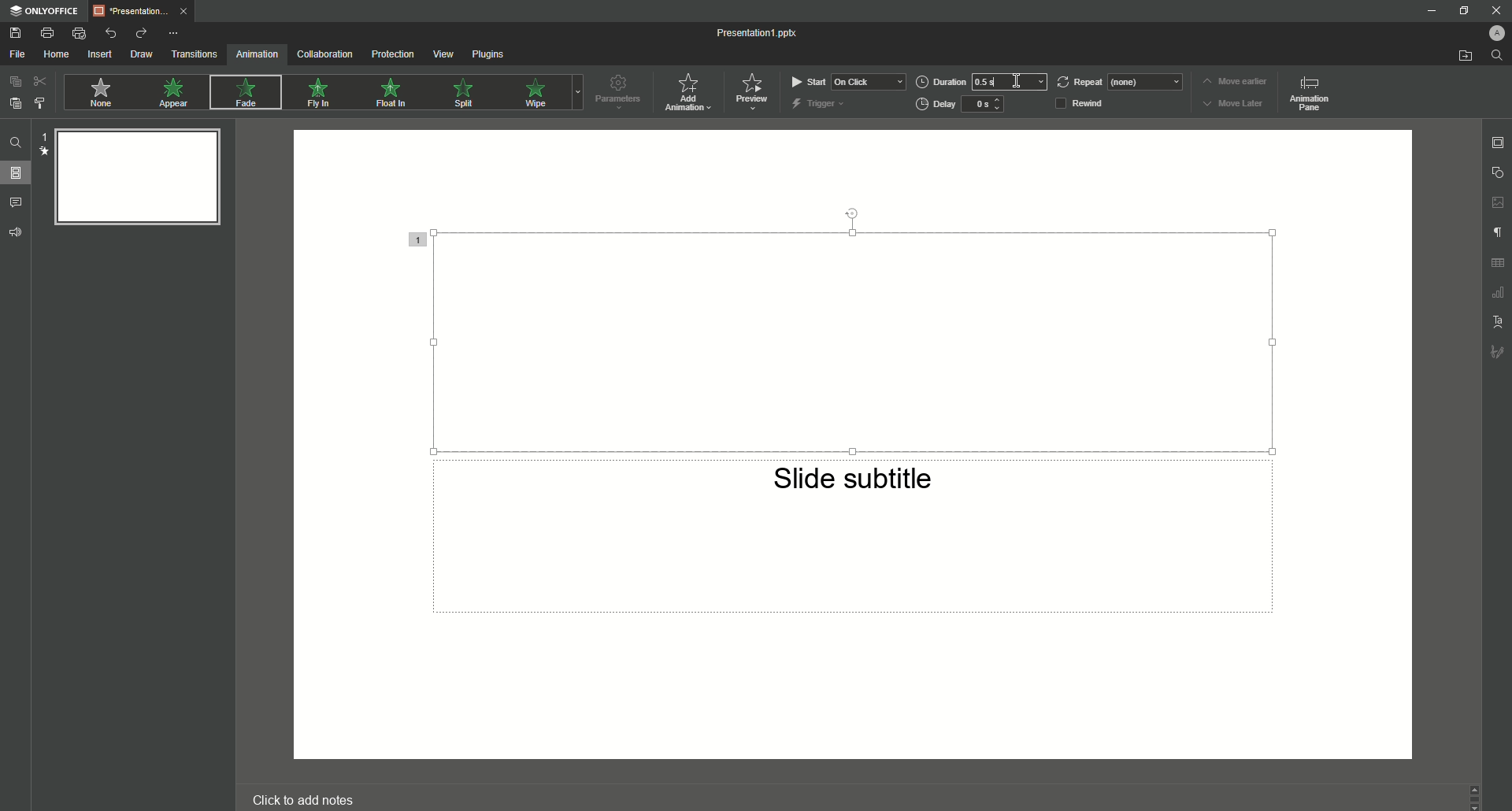  Describe the element at coordinates (174, 34) in the screenshot. I see `More Options` at that location.